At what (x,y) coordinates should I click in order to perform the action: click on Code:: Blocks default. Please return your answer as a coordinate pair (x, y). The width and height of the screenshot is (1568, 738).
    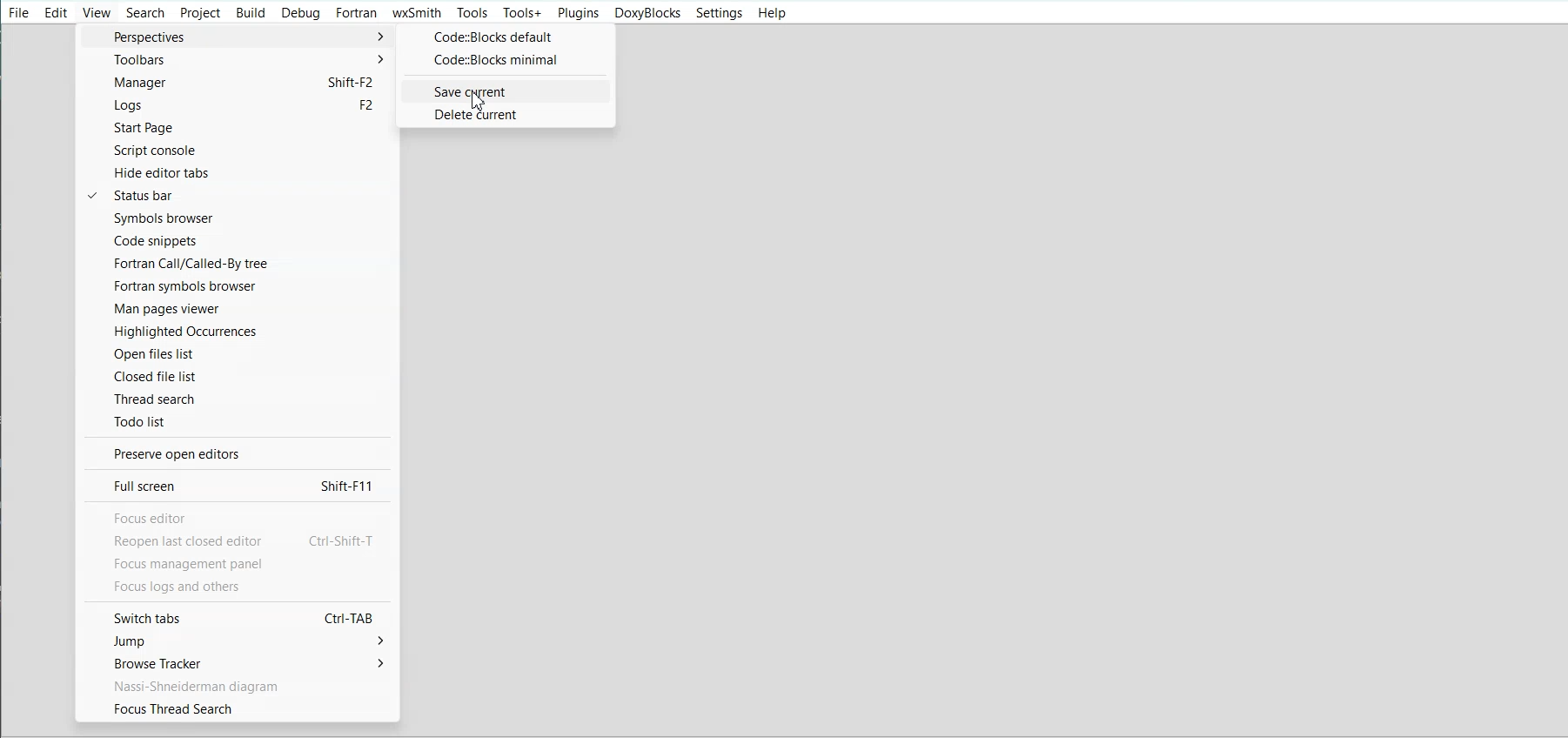
    Looking at the image, I should click on (502, 38).